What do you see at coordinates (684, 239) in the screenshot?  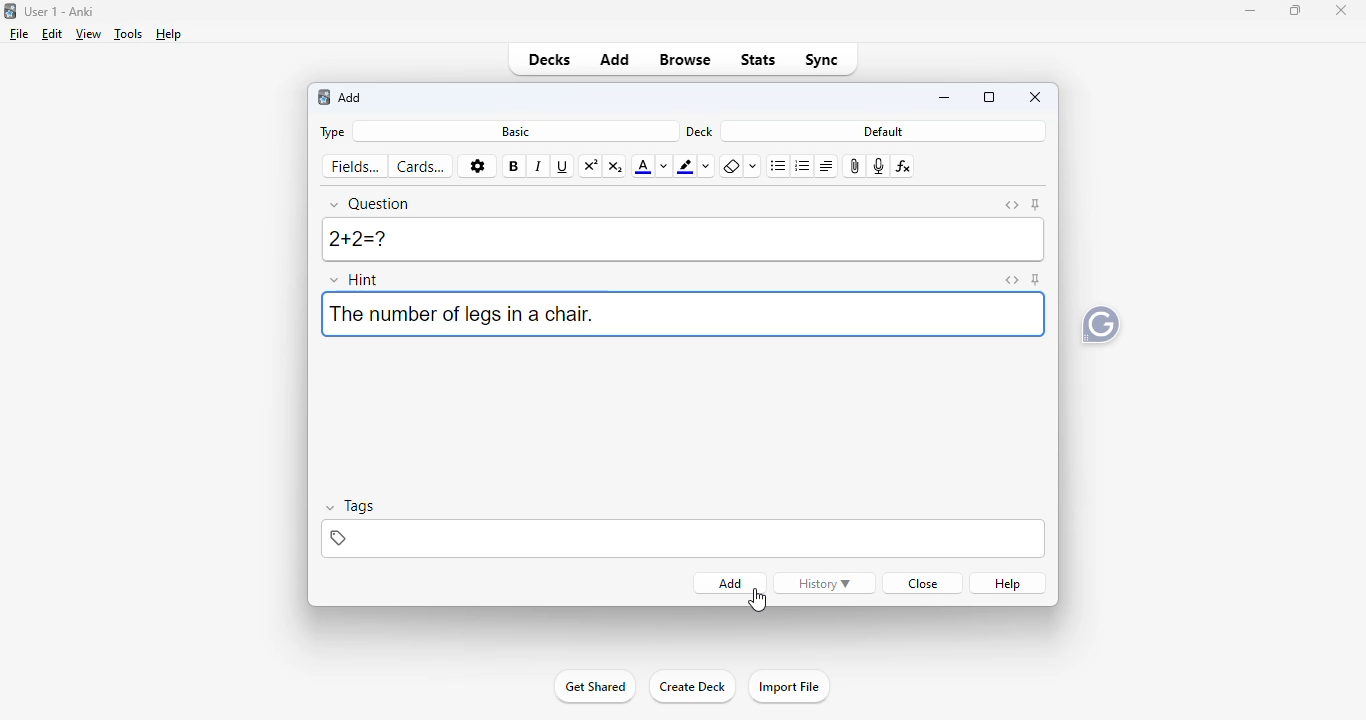 I see `2+2=?` at bounding box center [684, 239].